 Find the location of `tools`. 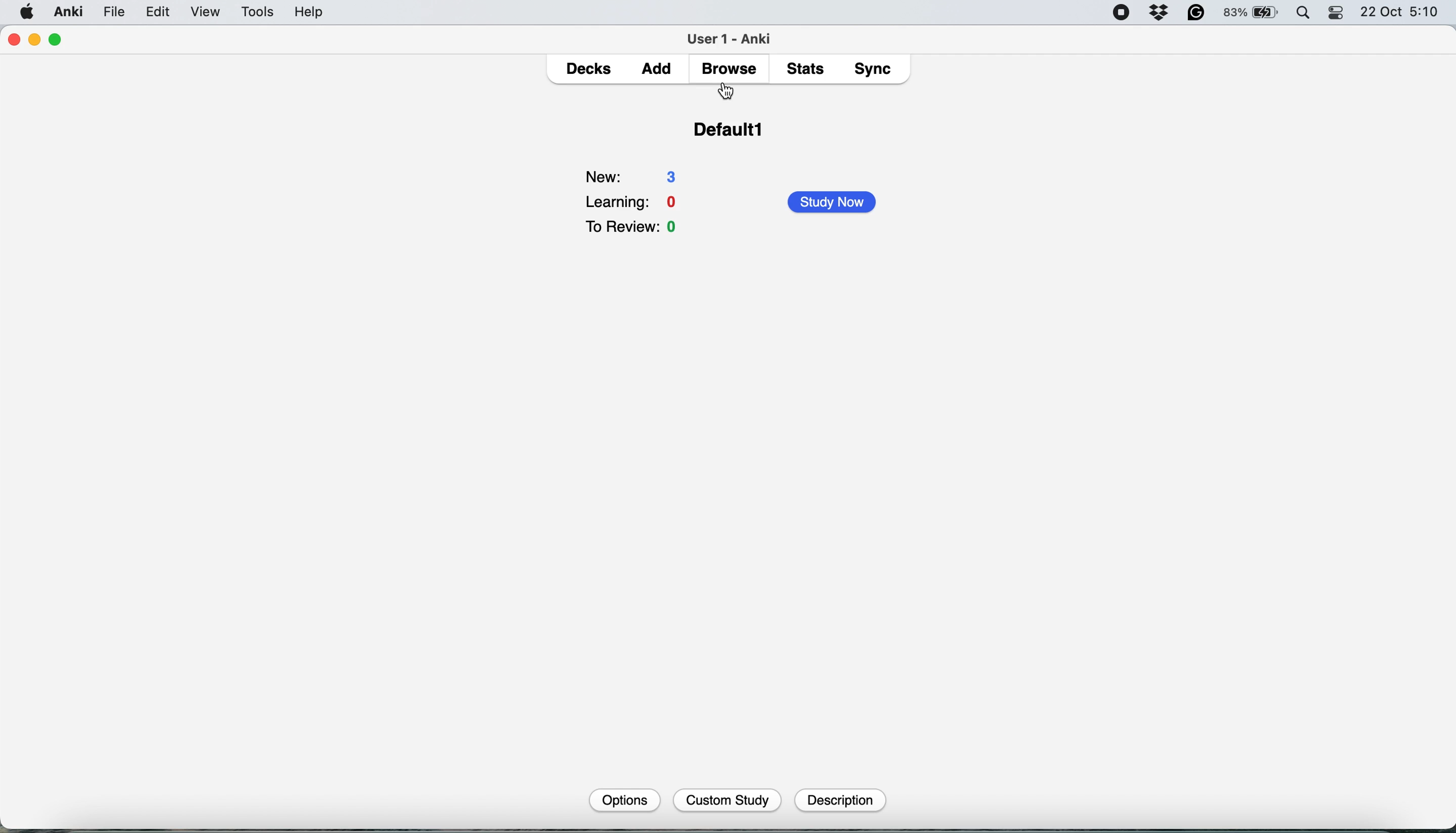

tools is located at coordinates (253, 11).